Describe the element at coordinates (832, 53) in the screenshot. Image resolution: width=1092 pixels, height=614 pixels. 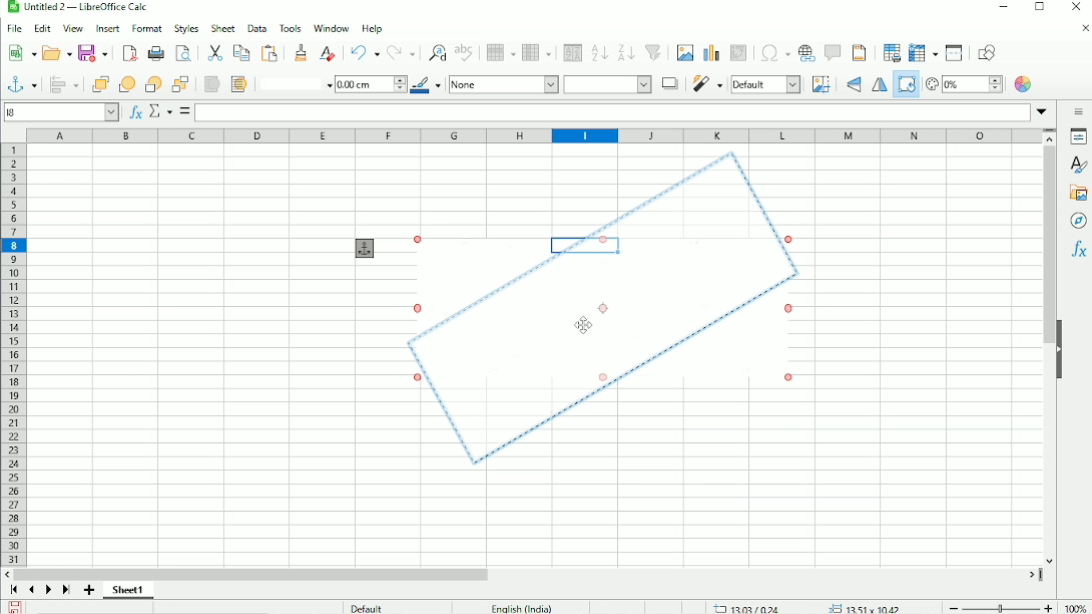
I see `Insert comment` at that location.